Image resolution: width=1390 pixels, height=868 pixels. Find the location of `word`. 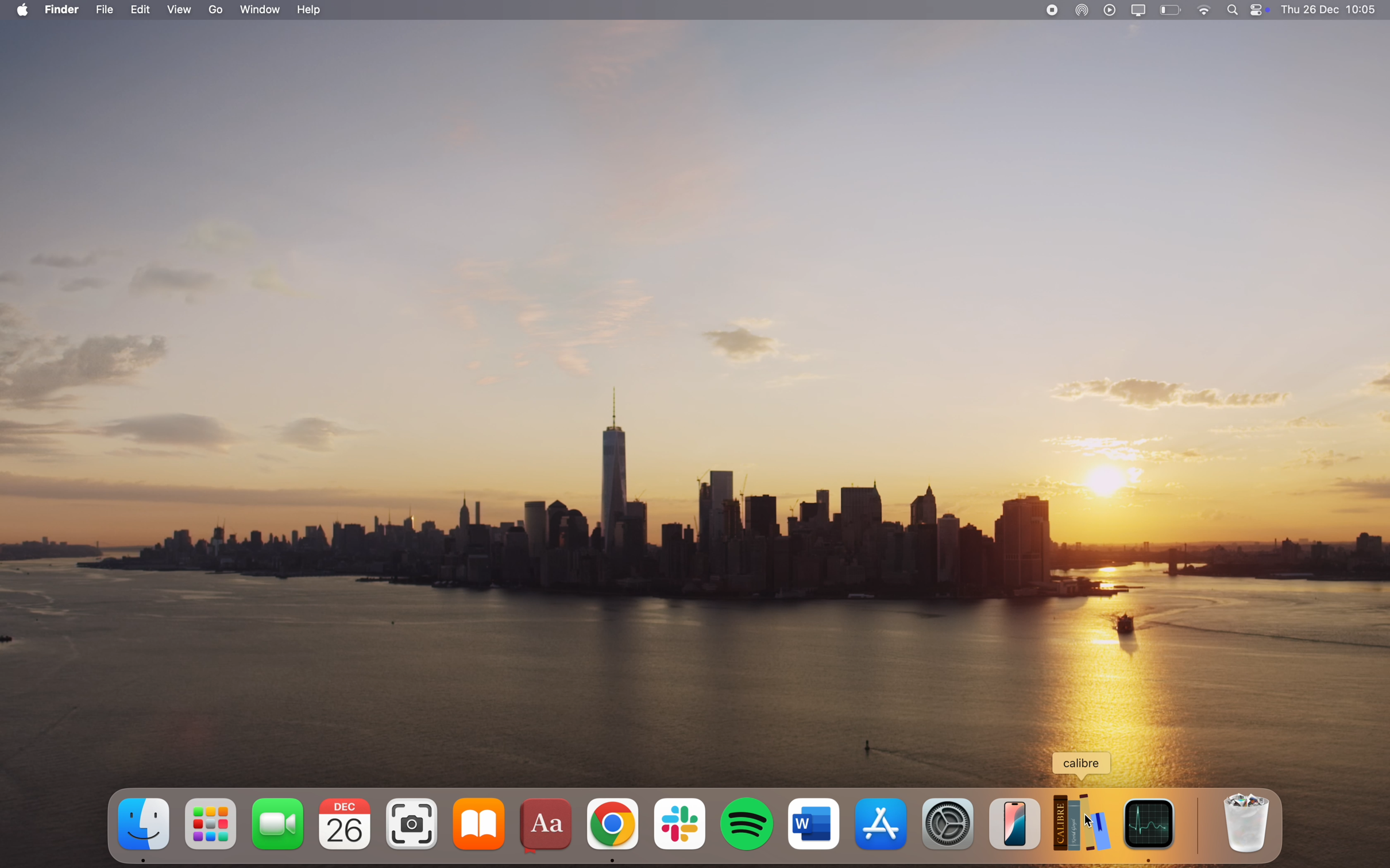

word is located at coordinates (812, 819).